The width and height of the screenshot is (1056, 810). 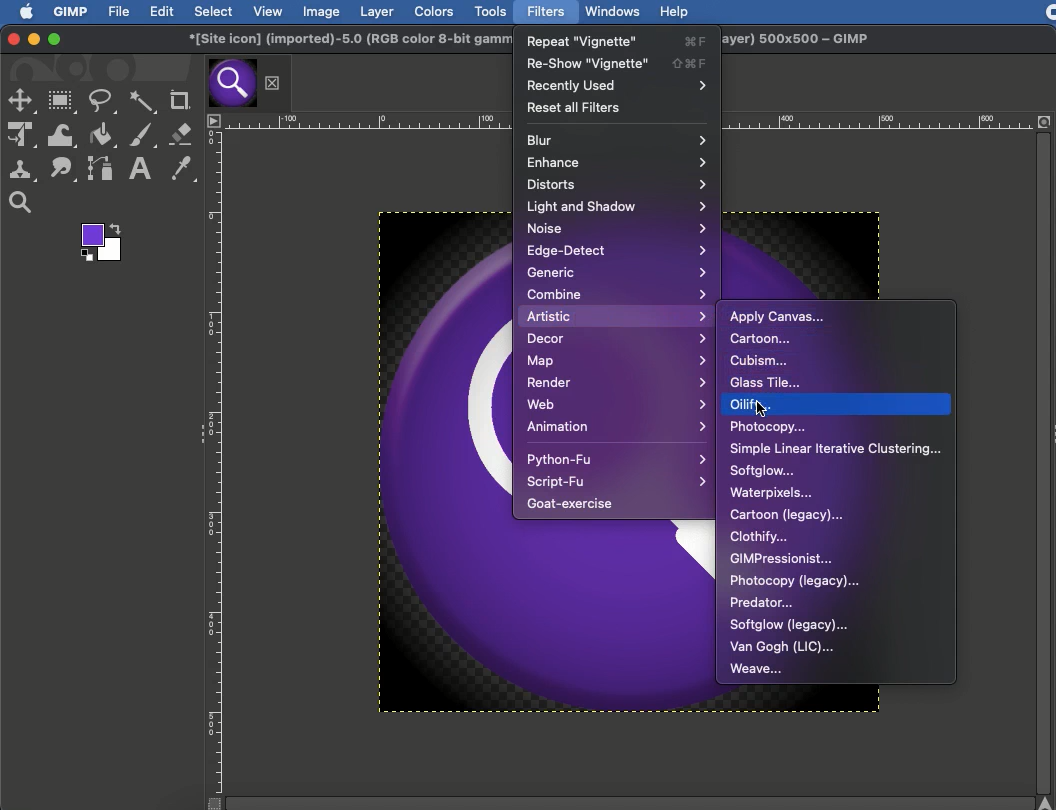 What do you see at coordinates (199, 430) in the screenshot?
I see `Collapse` at bounding box center [199, 430].